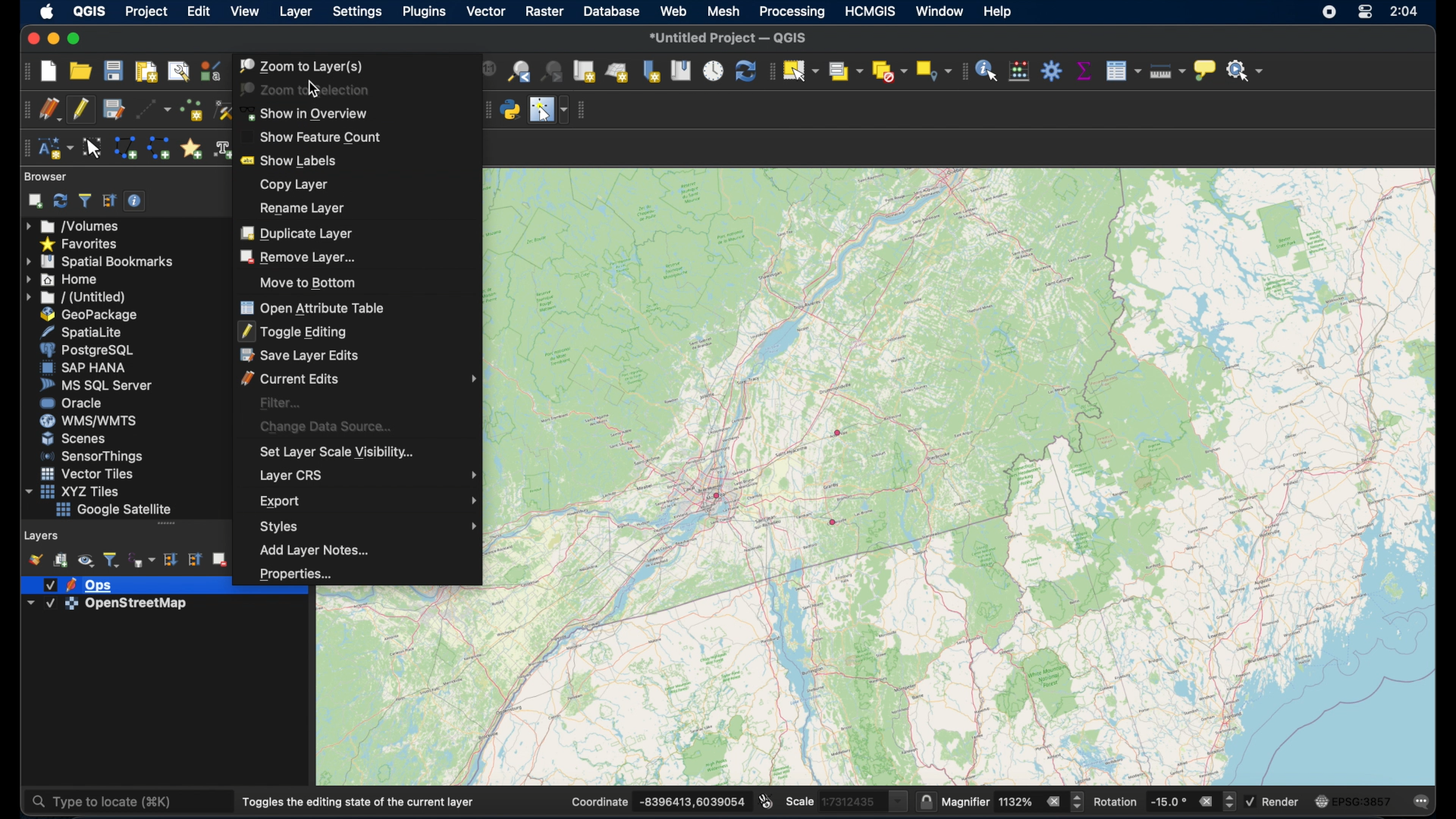  Describe the element at coordinates (548, 108) in the screenshot. I see `switch mouse cursor to configurable pointer` at that location.